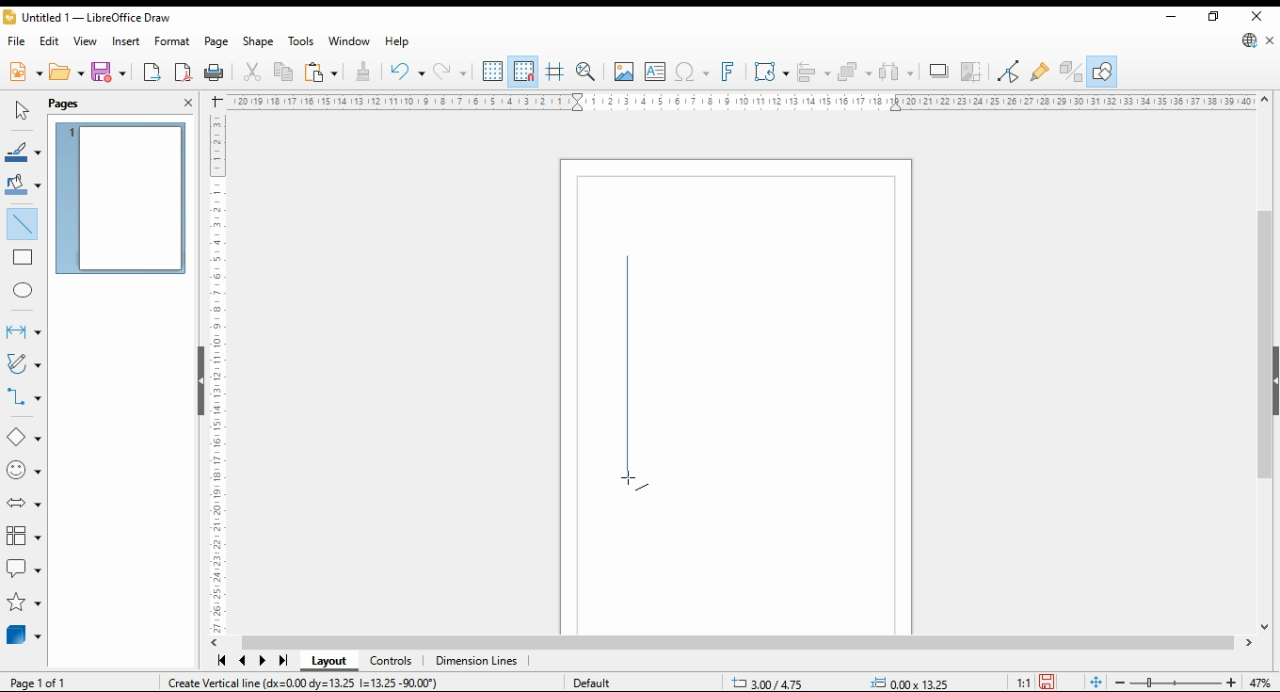 This screenshot has width=1280, height=692. What do you see at coordinates (22, 183) in the screenshot?
I see `fill color` at bounding box center [22, 183].